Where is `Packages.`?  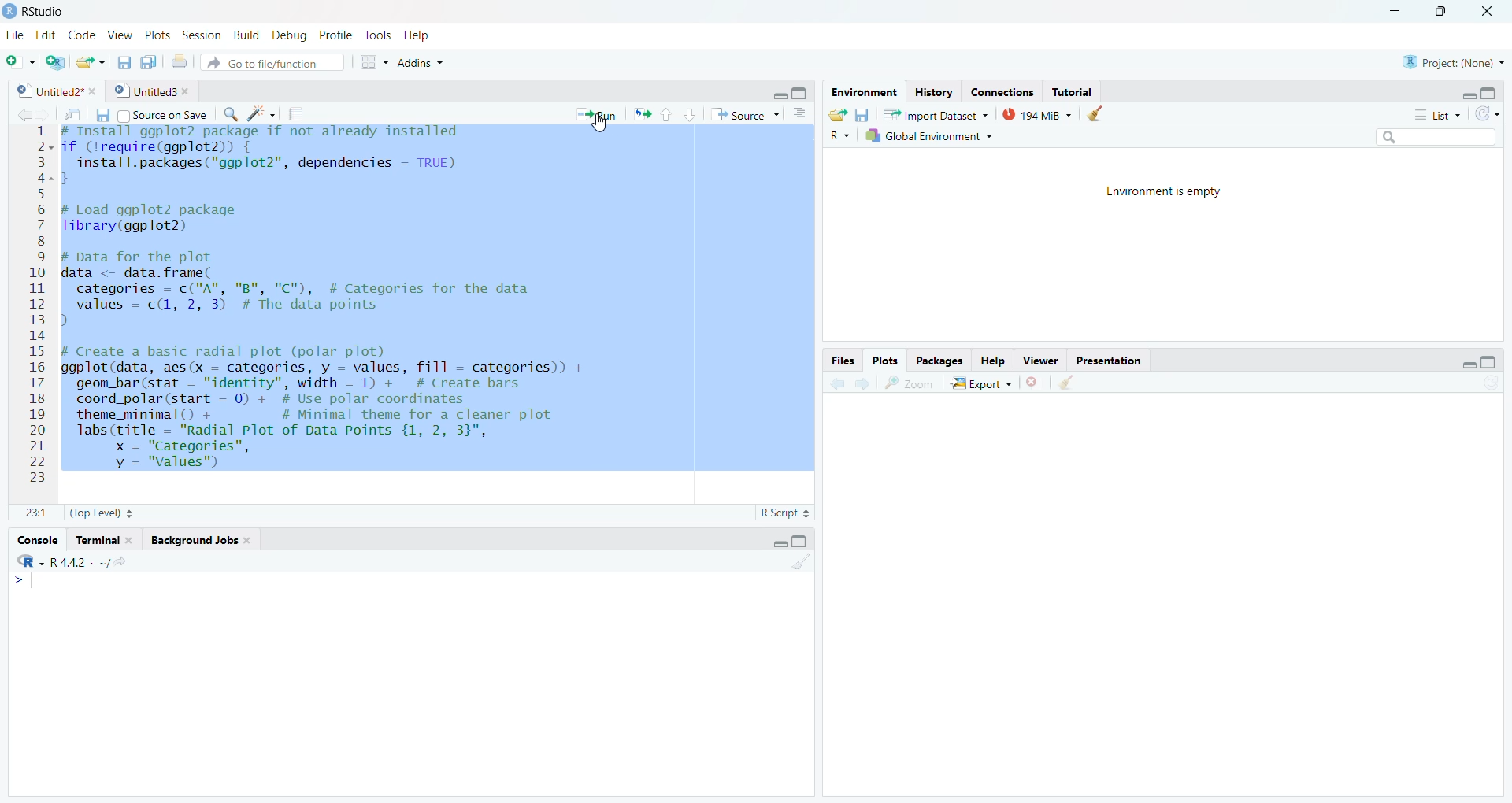
Packages. is located at coordinates (939, 361).